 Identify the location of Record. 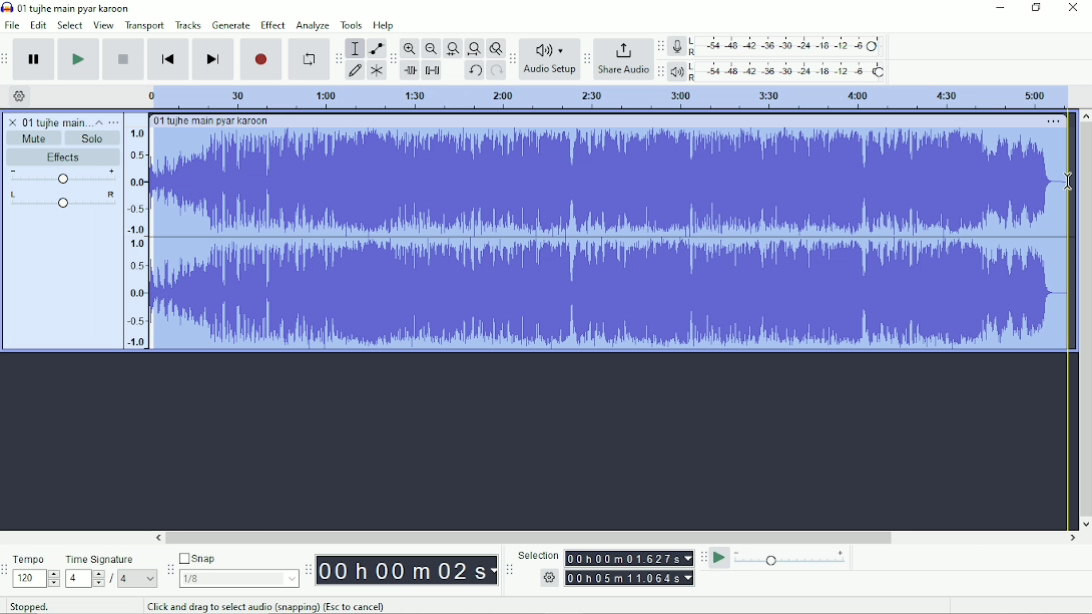
(261, 59).